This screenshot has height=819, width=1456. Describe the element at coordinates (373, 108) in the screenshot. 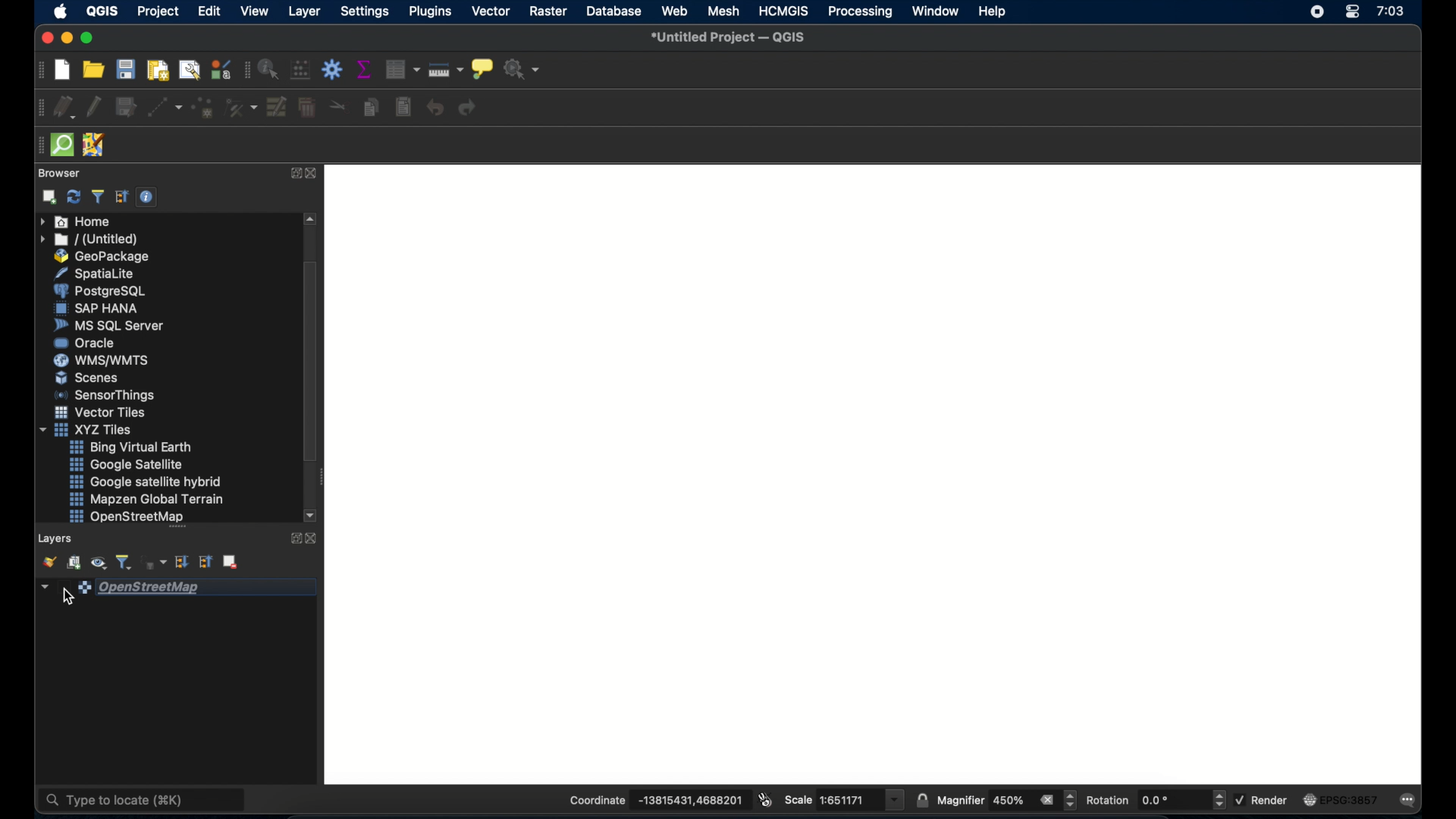

I see `copy features` at that location.